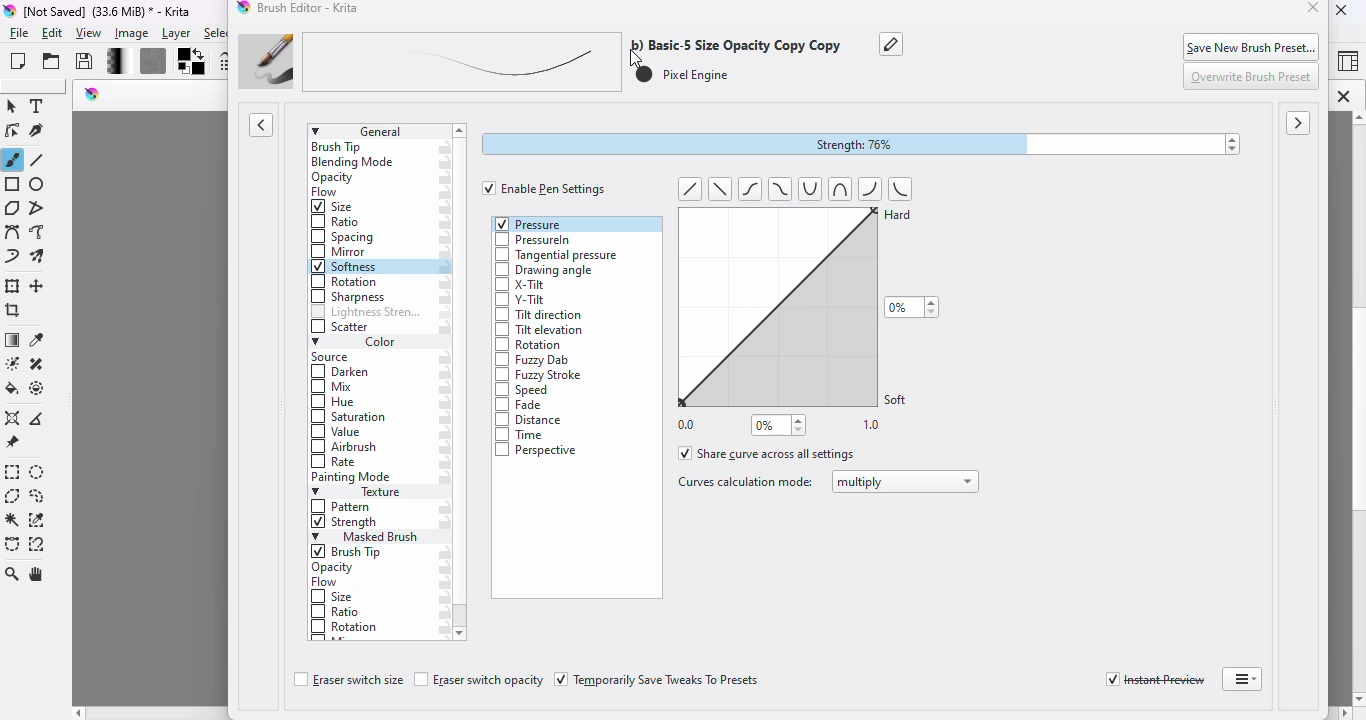 The width and height of the screenshot is (1366, 720). I want to click on edit shapes tool, so click(12, 131).